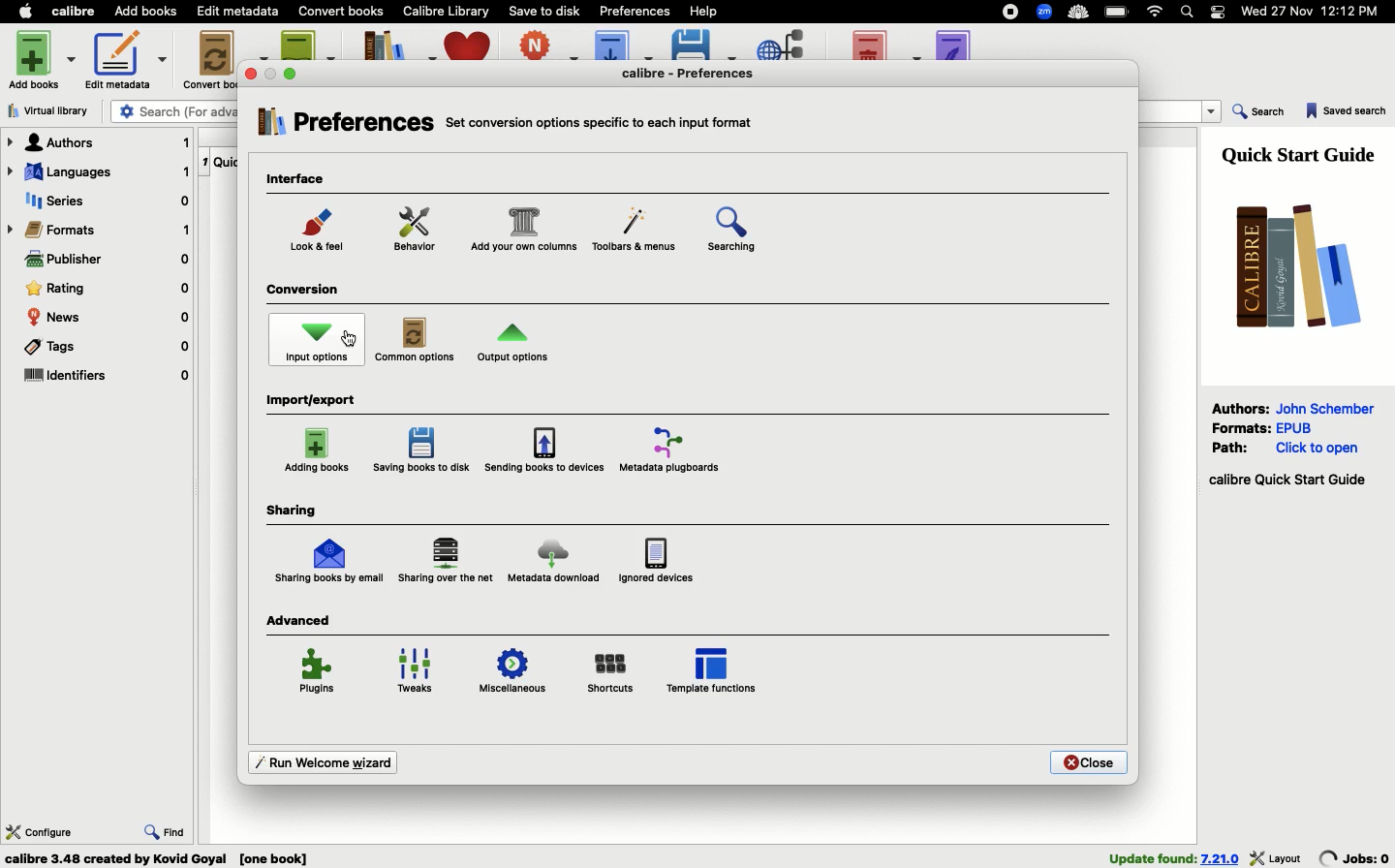  I want to click on Edit metadata, so click(126, 60).